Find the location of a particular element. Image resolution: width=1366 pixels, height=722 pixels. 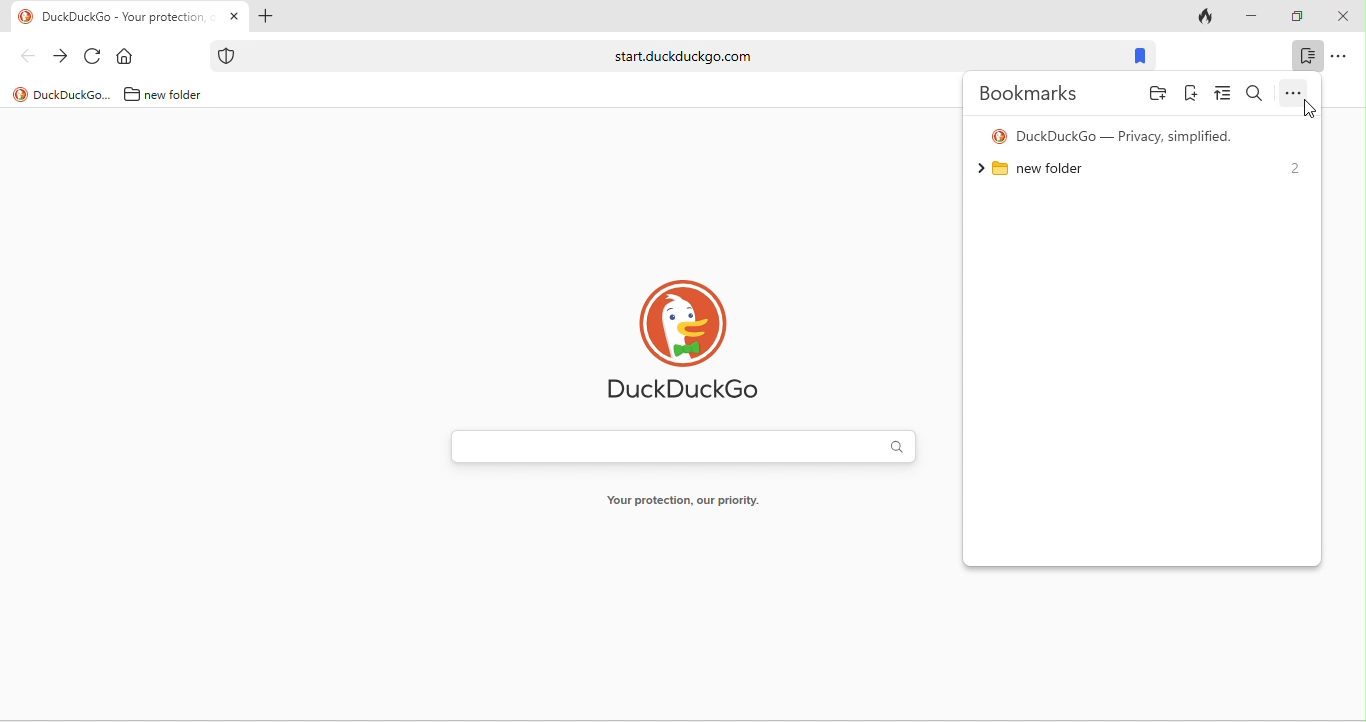

new folder is located at coordinates (165, 94).